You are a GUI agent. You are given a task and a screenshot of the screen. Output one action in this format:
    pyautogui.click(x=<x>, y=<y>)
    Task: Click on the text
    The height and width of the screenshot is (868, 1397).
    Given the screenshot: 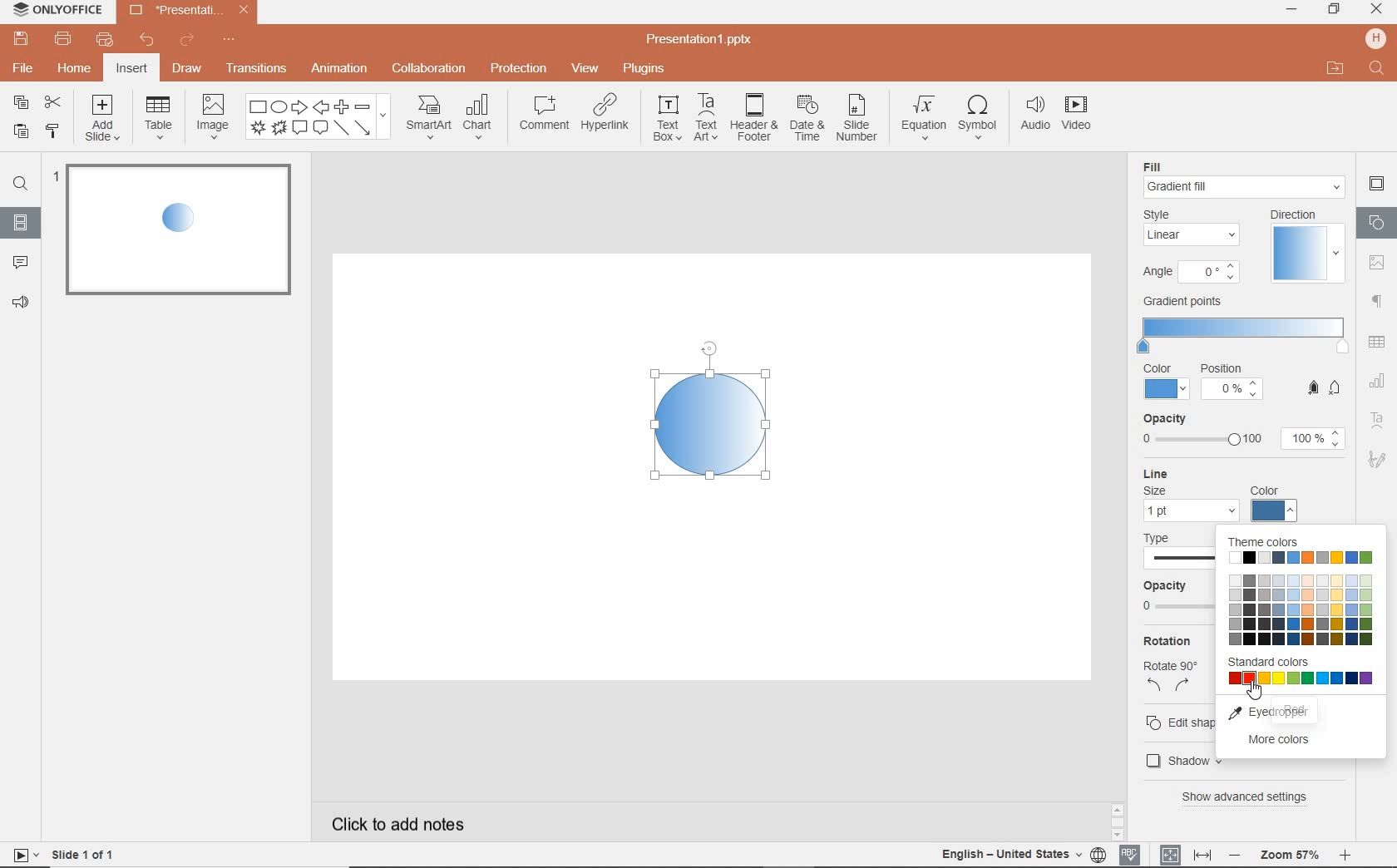 What is the action you would take?
    pyautogui.click(x=1174, y=573)
    